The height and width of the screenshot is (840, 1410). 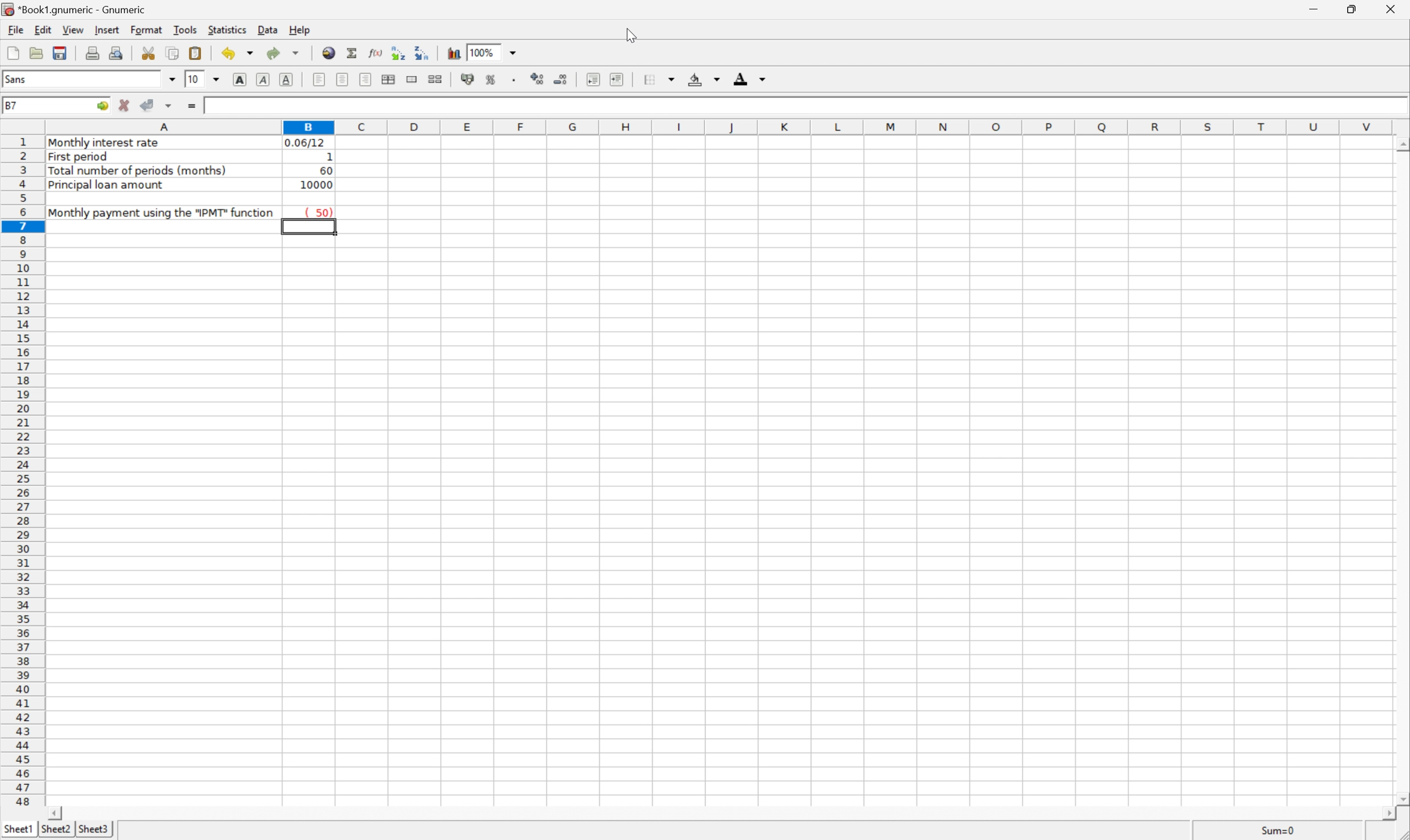 I want to click on Increase the number of decimals displayed, so click(x=539, y=79).